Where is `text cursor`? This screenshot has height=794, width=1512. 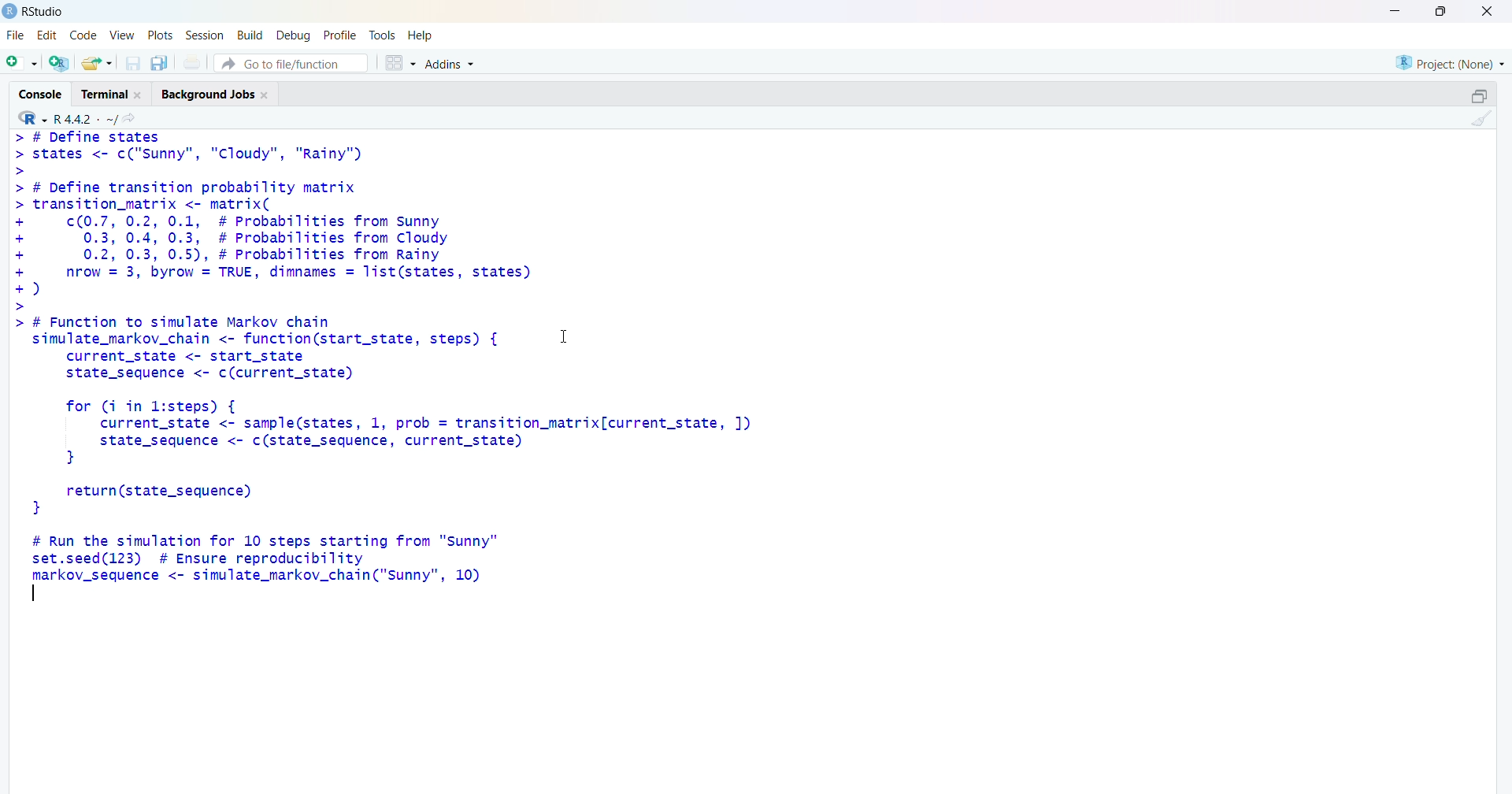
text cursor is located at coordinates (35, 592).